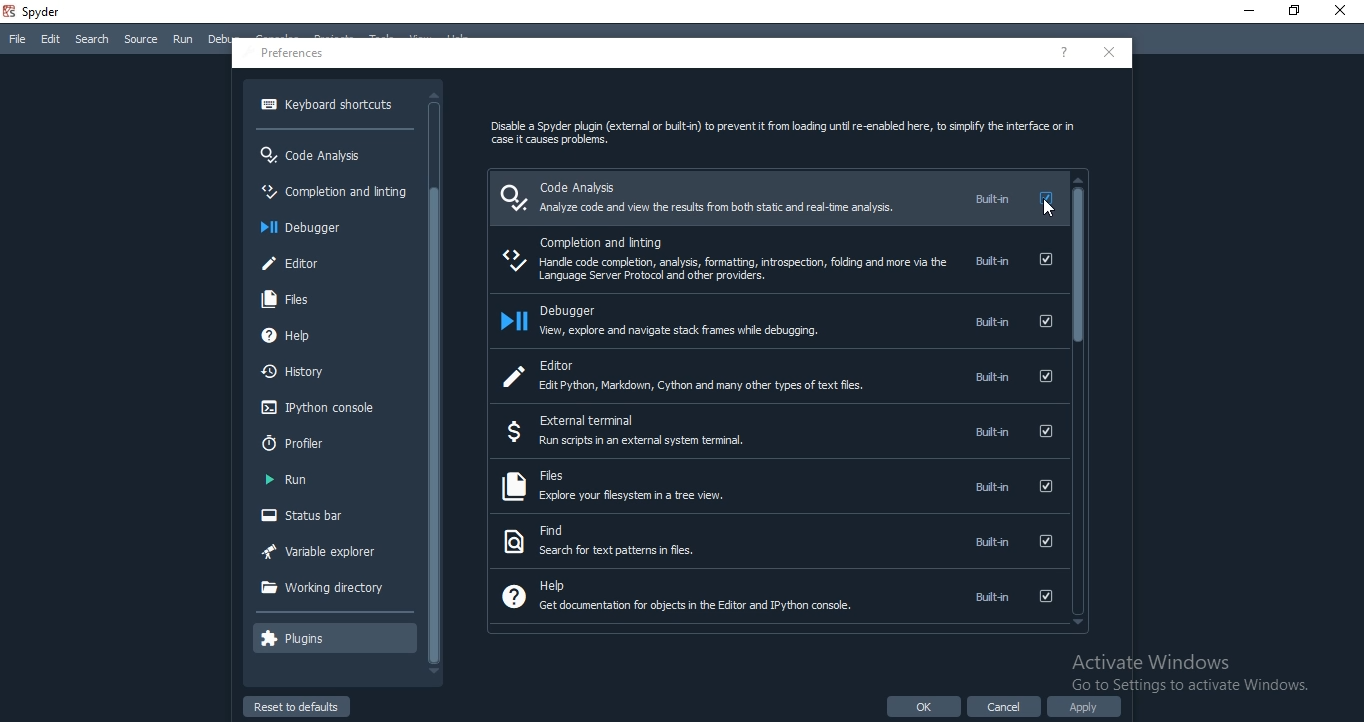 Image resolution: width=1364 pixels, height=722 pixels. What do you see at coordinates (14, 41) in the screenshot?
I see `File ` at bounding box center [14, 41].